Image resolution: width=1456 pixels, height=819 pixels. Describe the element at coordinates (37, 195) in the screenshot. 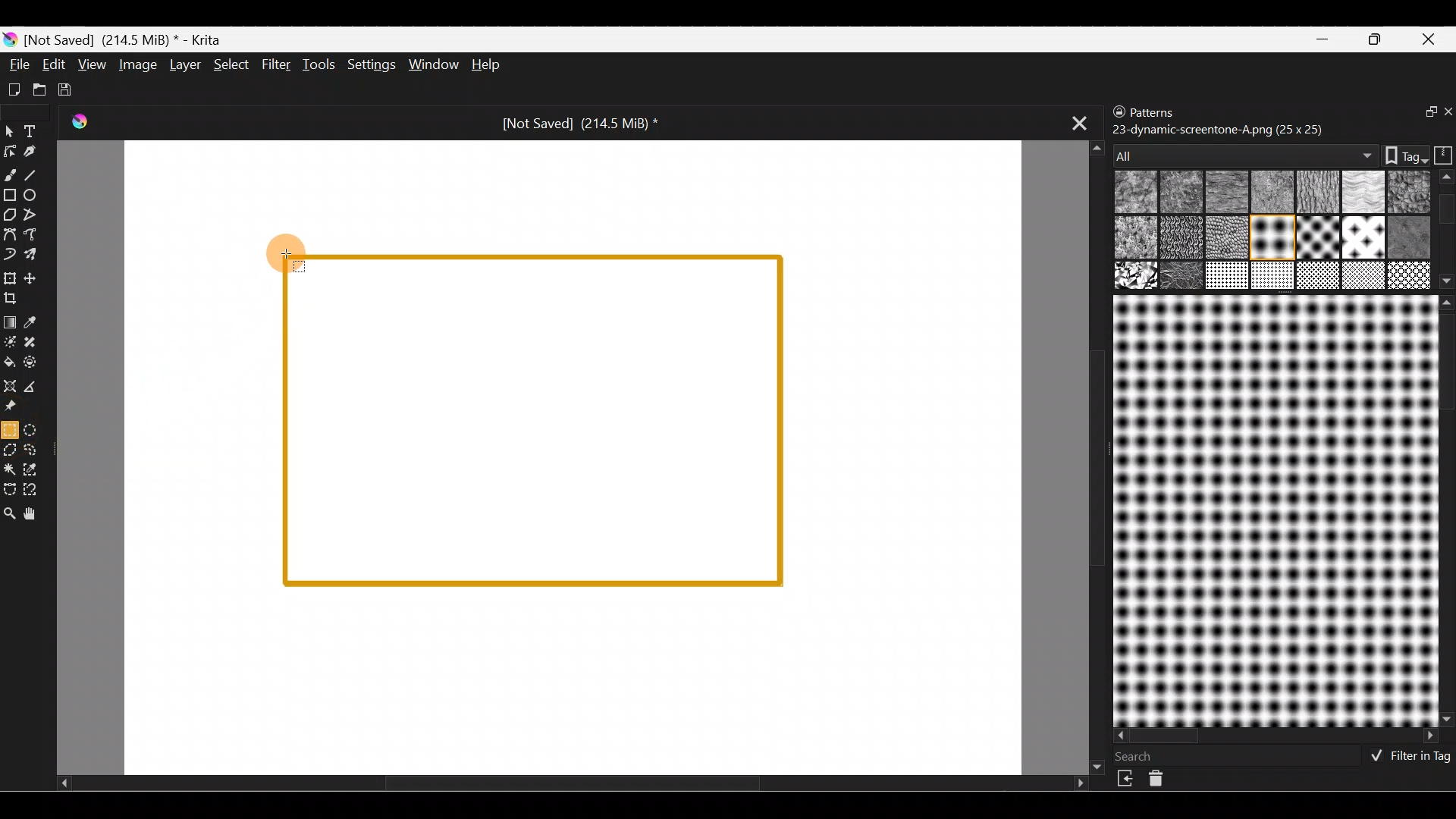

I see `Ellipse tool` at that location.